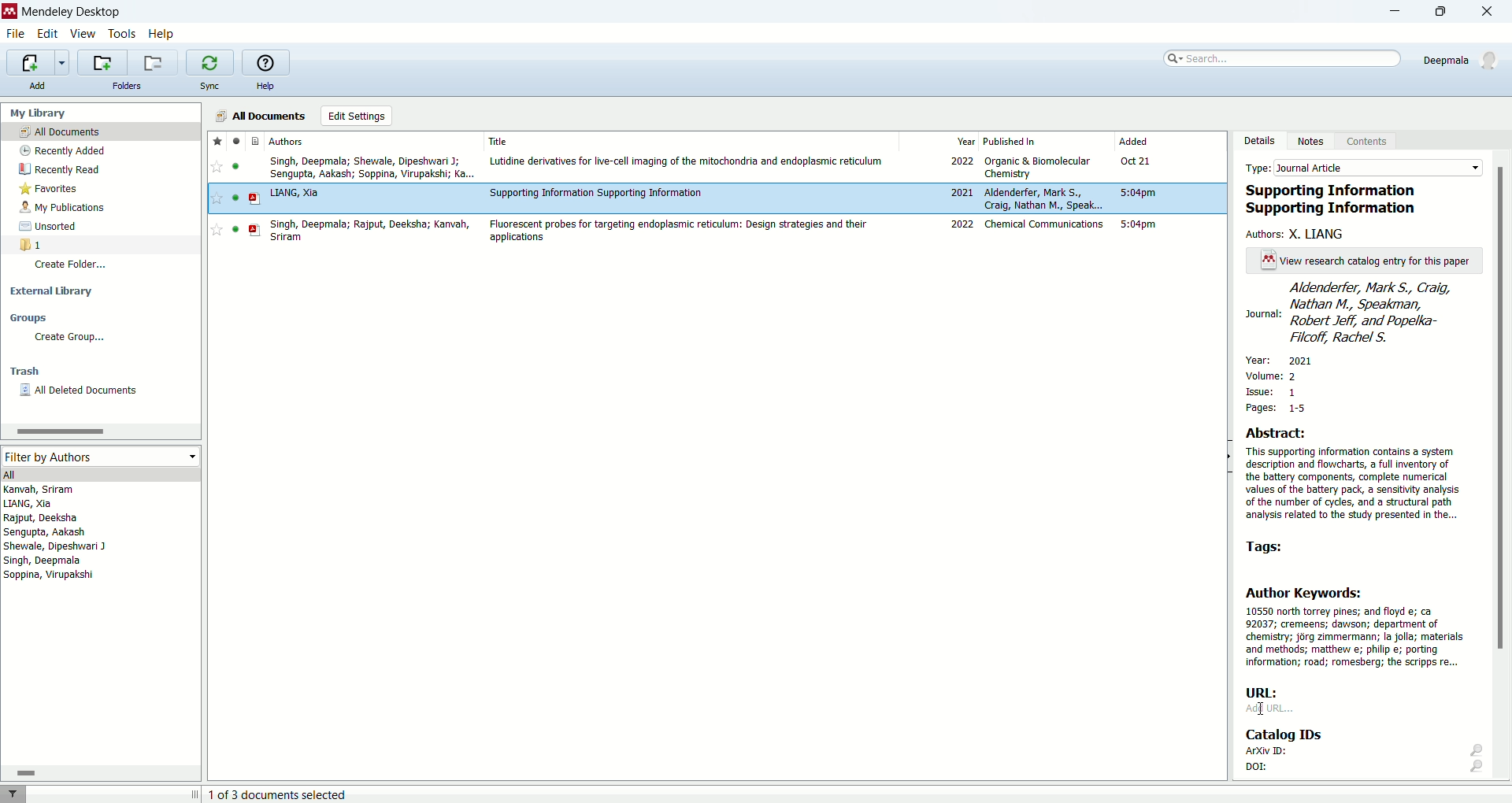 The image size is (1512, 803). What do you see at coordinates (1298, 735) in the screenshot?
I see `catalog IDs` at bounding box center [1298, 735].